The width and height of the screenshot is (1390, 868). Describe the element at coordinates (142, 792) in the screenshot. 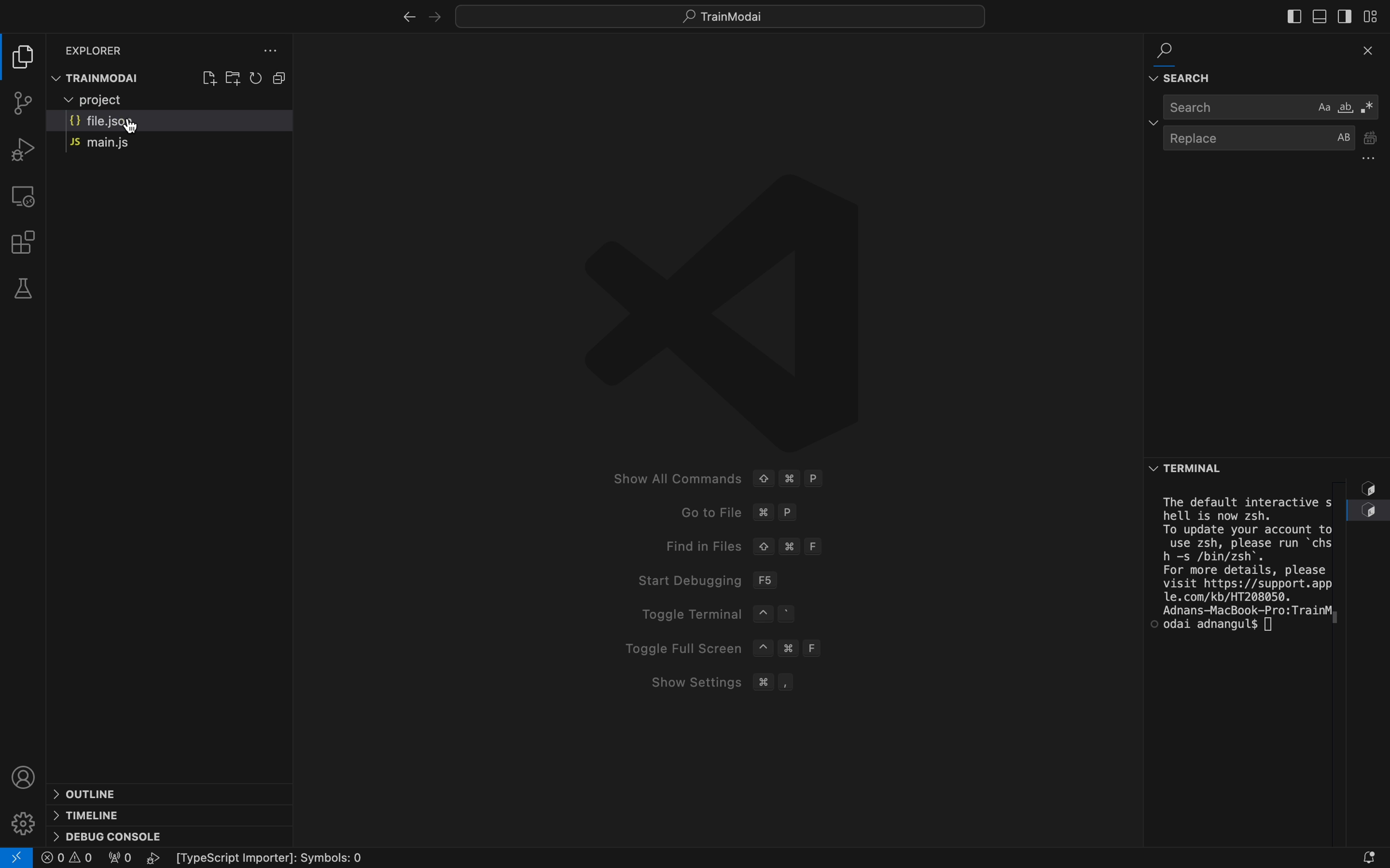

I see `outline` at that location.